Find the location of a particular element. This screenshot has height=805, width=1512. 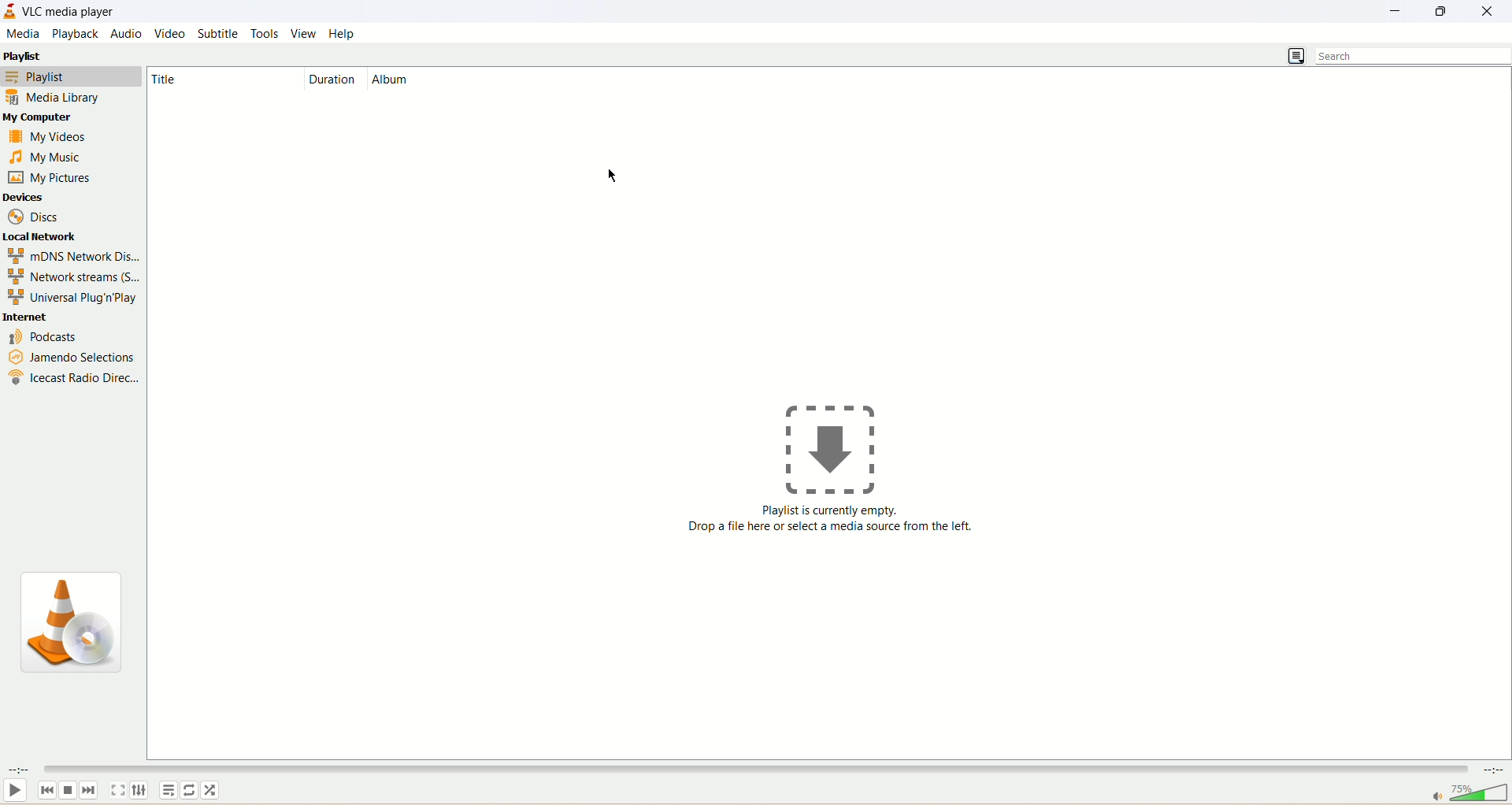

my computer is located at coordinates (39, 116).